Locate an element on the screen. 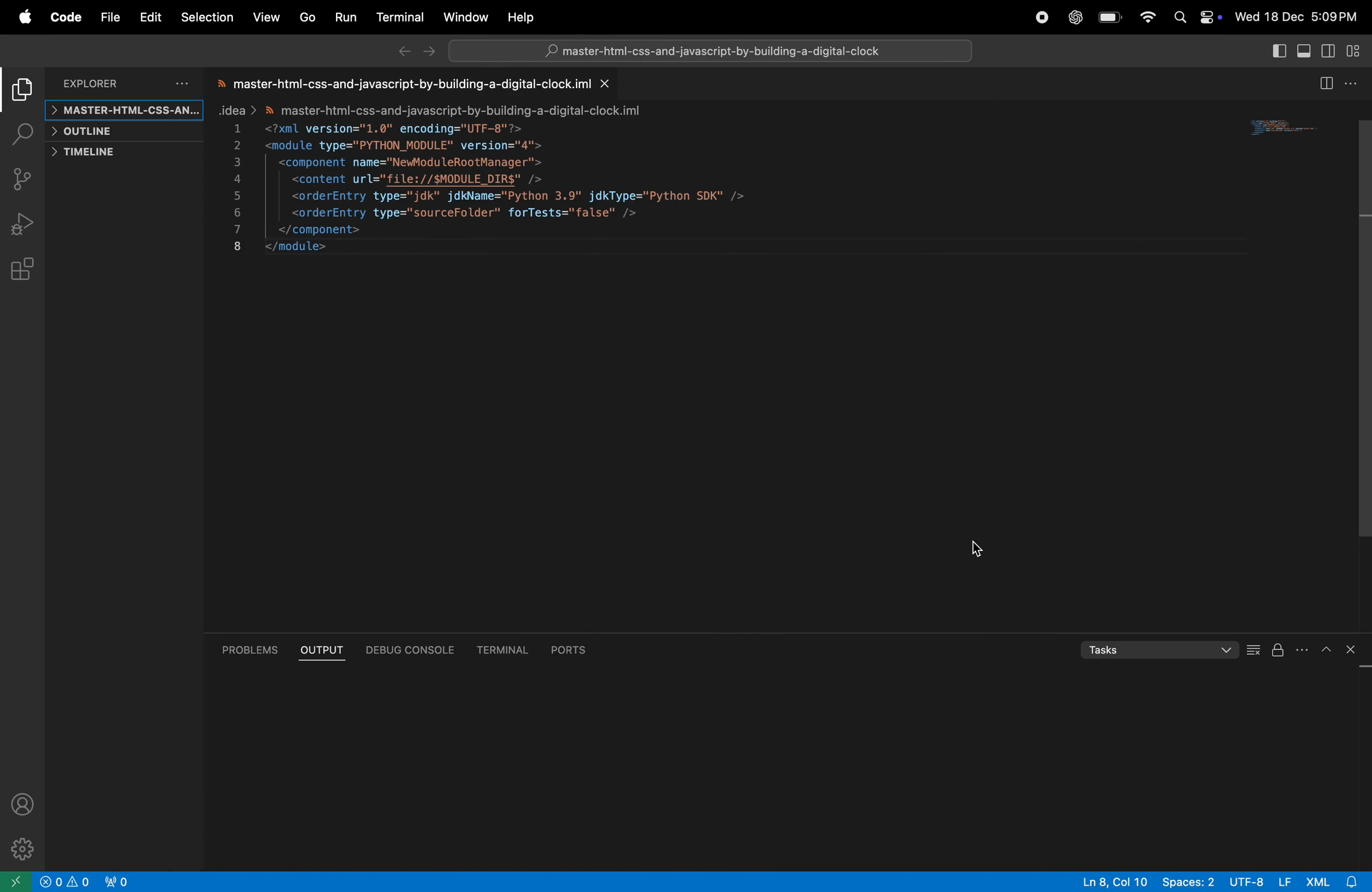  view is located at coordinates (267, 16).